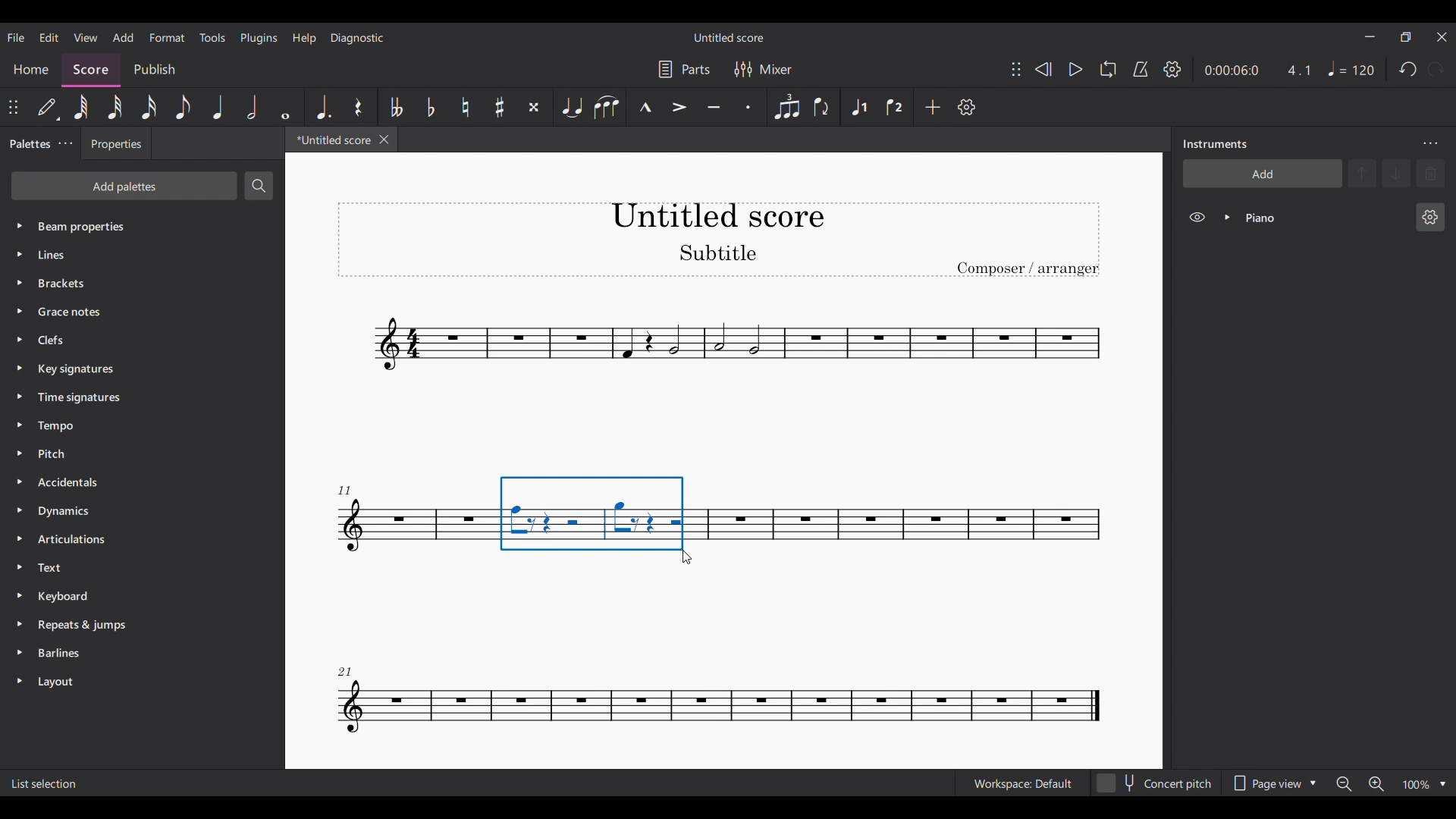 The height and width of the screenshot is (819, 1456). What do you see at coordinates (1430, 144) in the screenshot?
I see `Panel settings` at bounding box center [1430, 144].